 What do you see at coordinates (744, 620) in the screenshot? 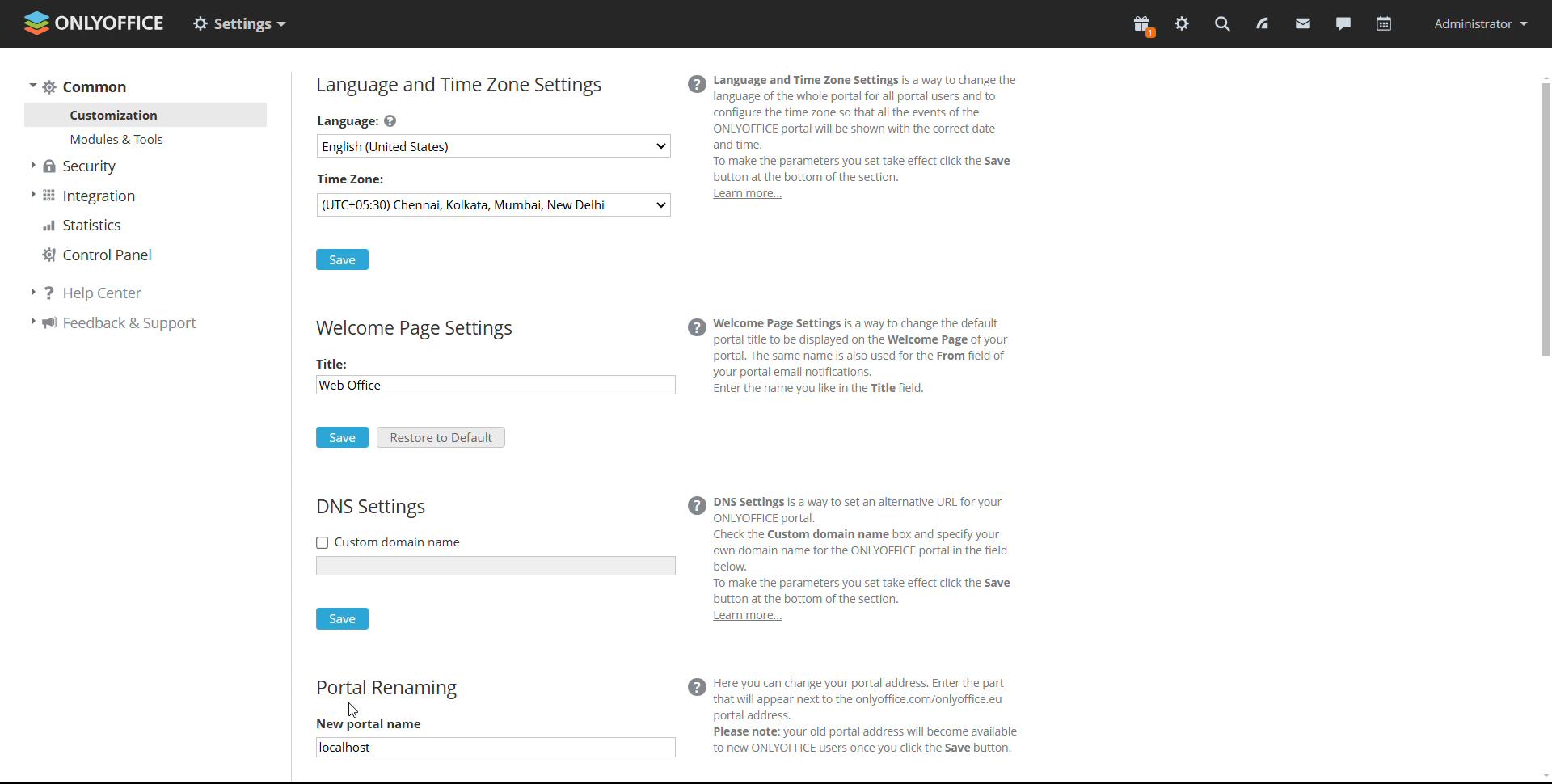
I see `learn more` at bounding box center [744, 620].